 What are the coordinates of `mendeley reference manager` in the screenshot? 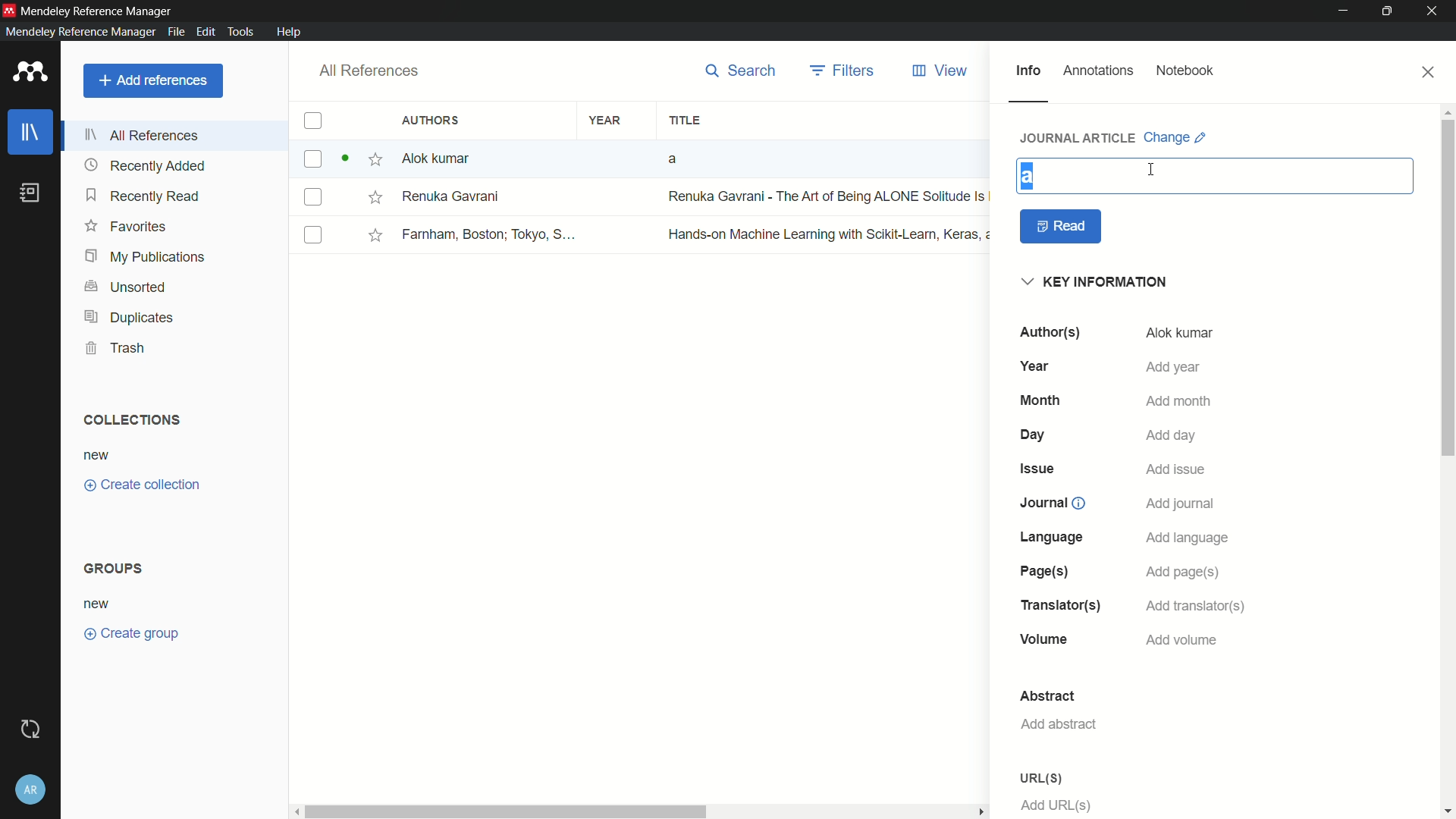 It's located at (80, 31).